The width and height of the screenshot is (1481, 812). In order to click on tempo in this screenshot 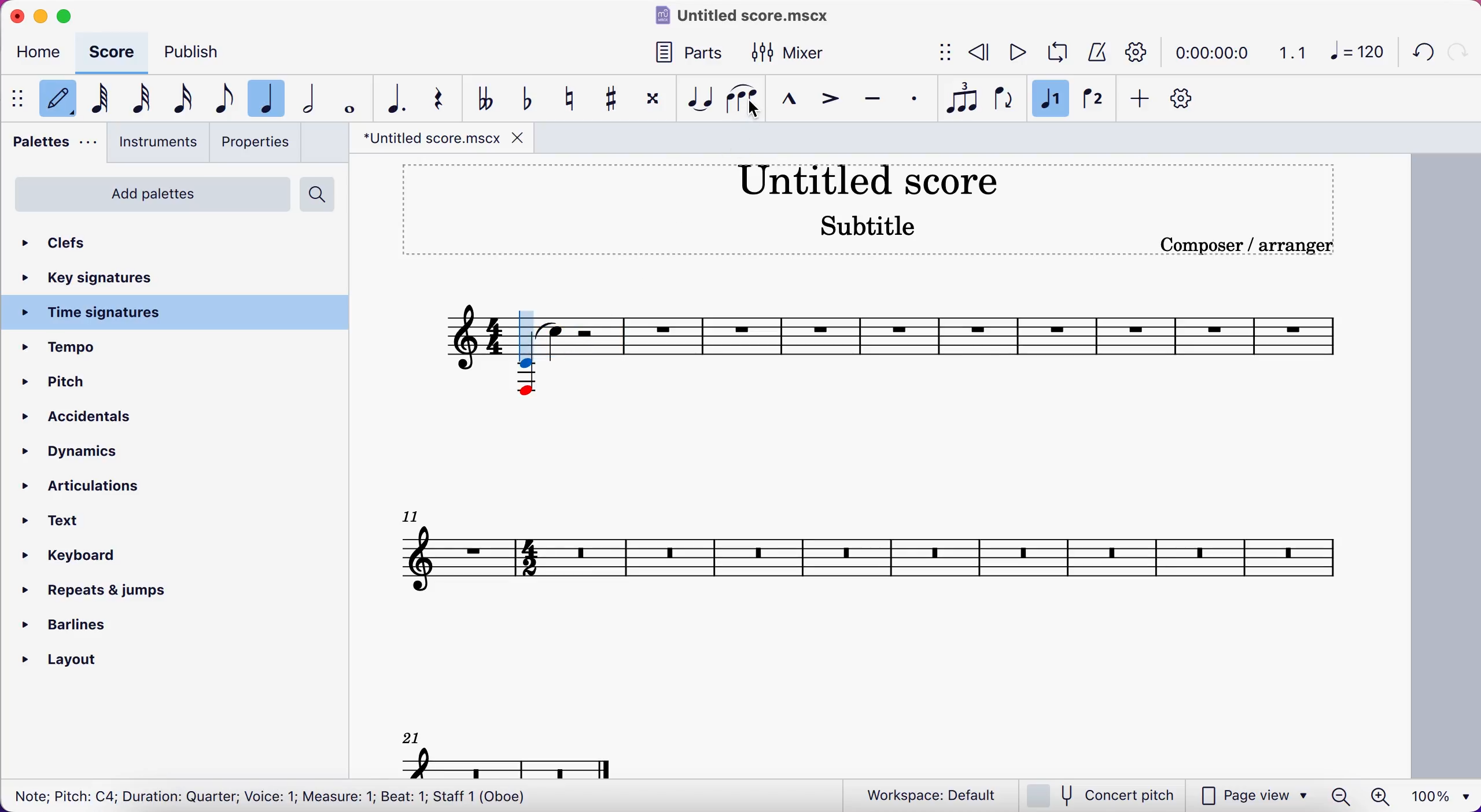, I will do `click(113, 348)`.